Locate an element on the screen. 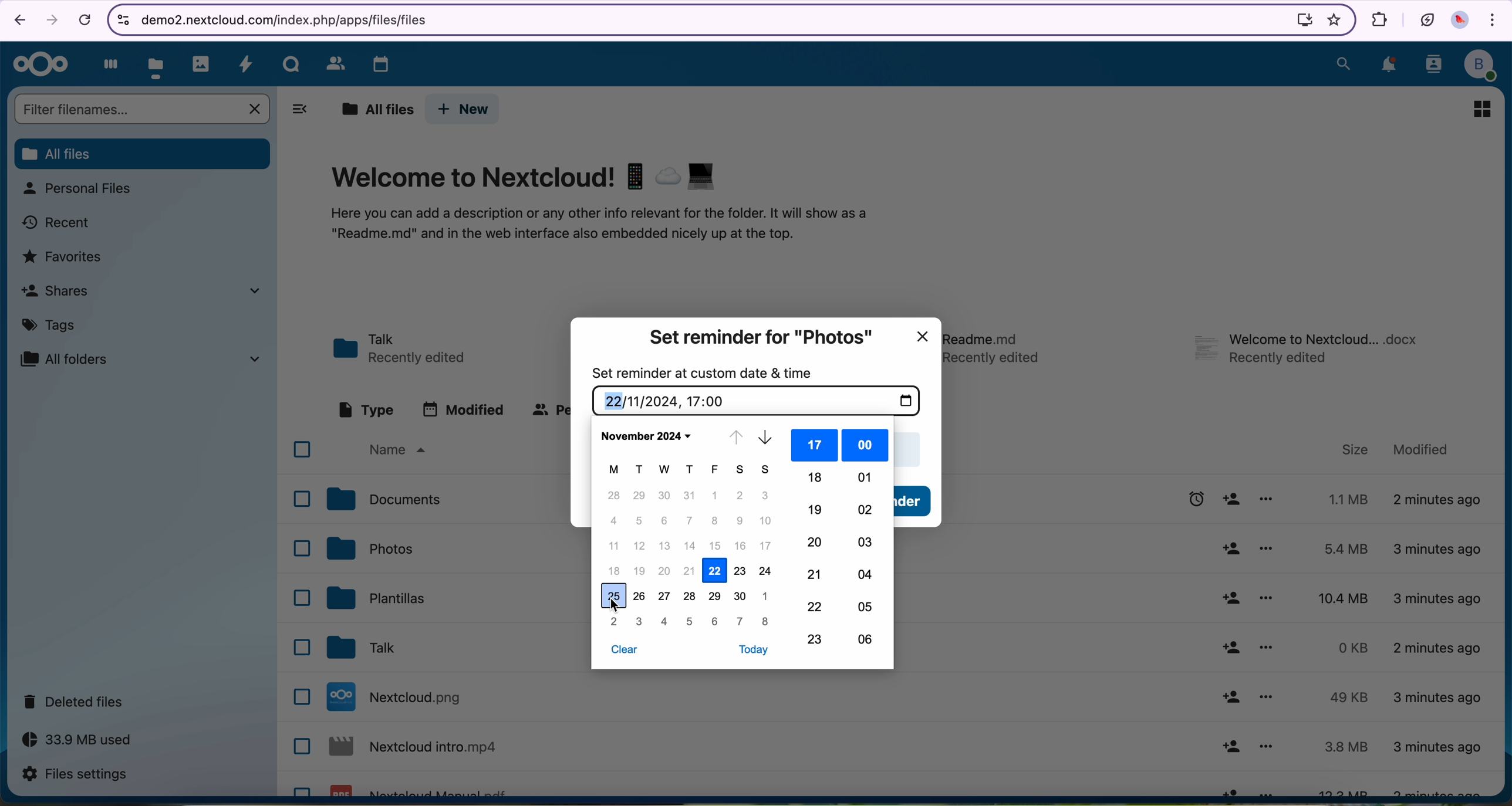  calendar is located at coordinates (374, 61).